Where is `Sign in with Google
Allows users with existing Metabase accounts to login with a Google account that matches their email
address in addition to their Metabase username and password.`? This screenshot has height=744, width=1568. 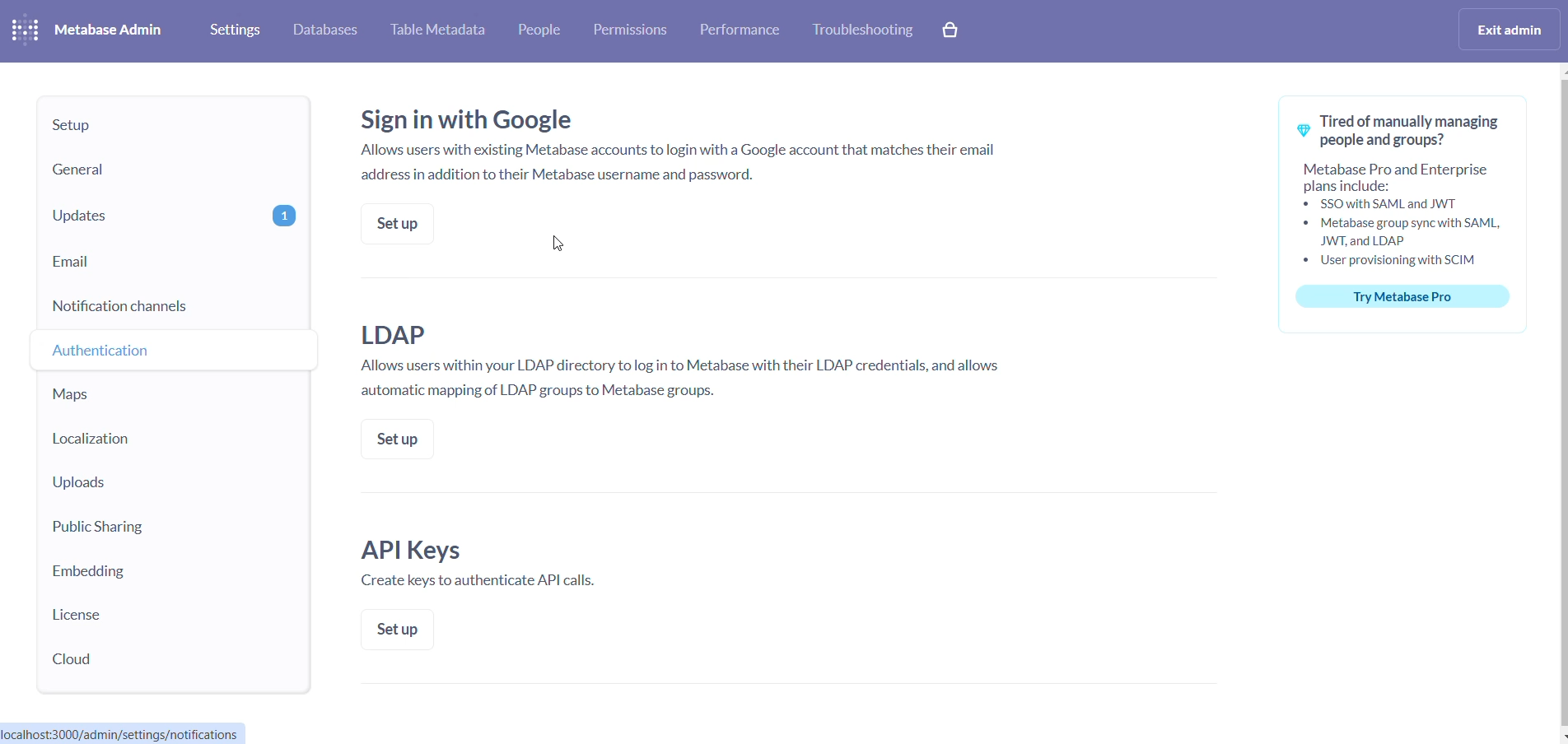
Sign in with Google
Allows users with existing Metabase accounts to login with a Google account that matches their email
address in addition to their Metabase username and password. is located at coordinates (695, 148).